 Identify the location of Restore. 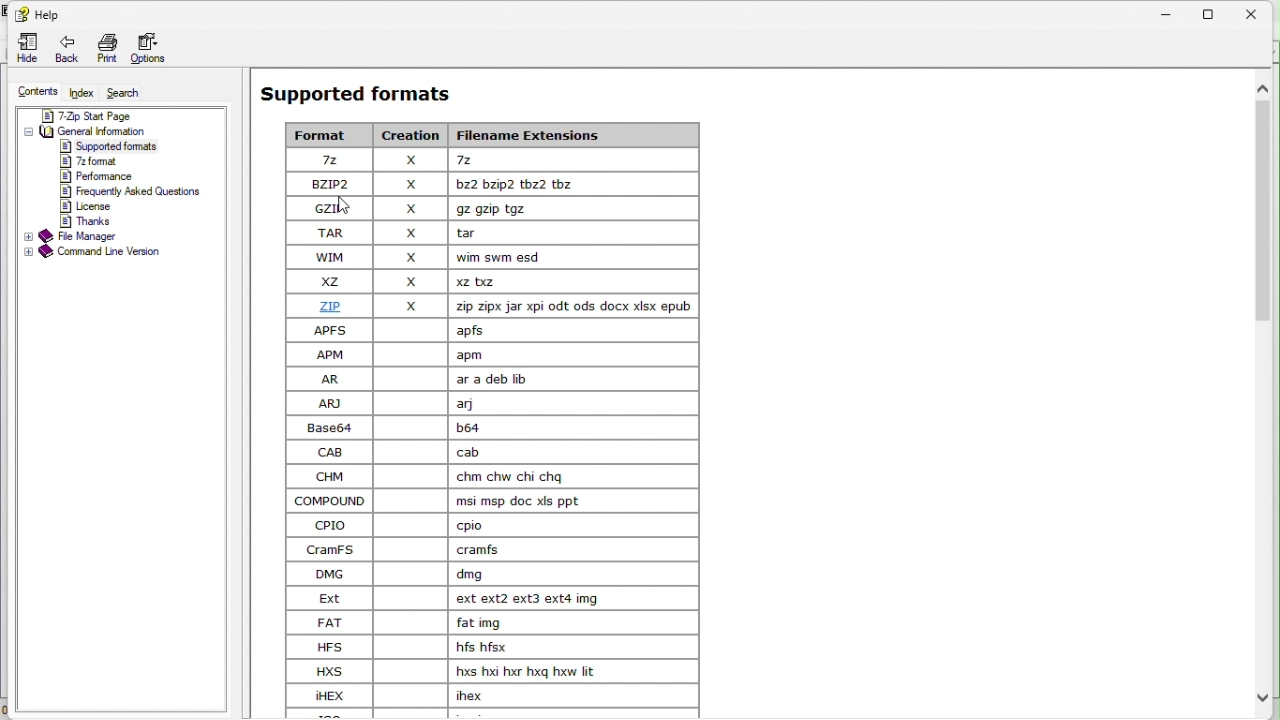
(1217, 13).